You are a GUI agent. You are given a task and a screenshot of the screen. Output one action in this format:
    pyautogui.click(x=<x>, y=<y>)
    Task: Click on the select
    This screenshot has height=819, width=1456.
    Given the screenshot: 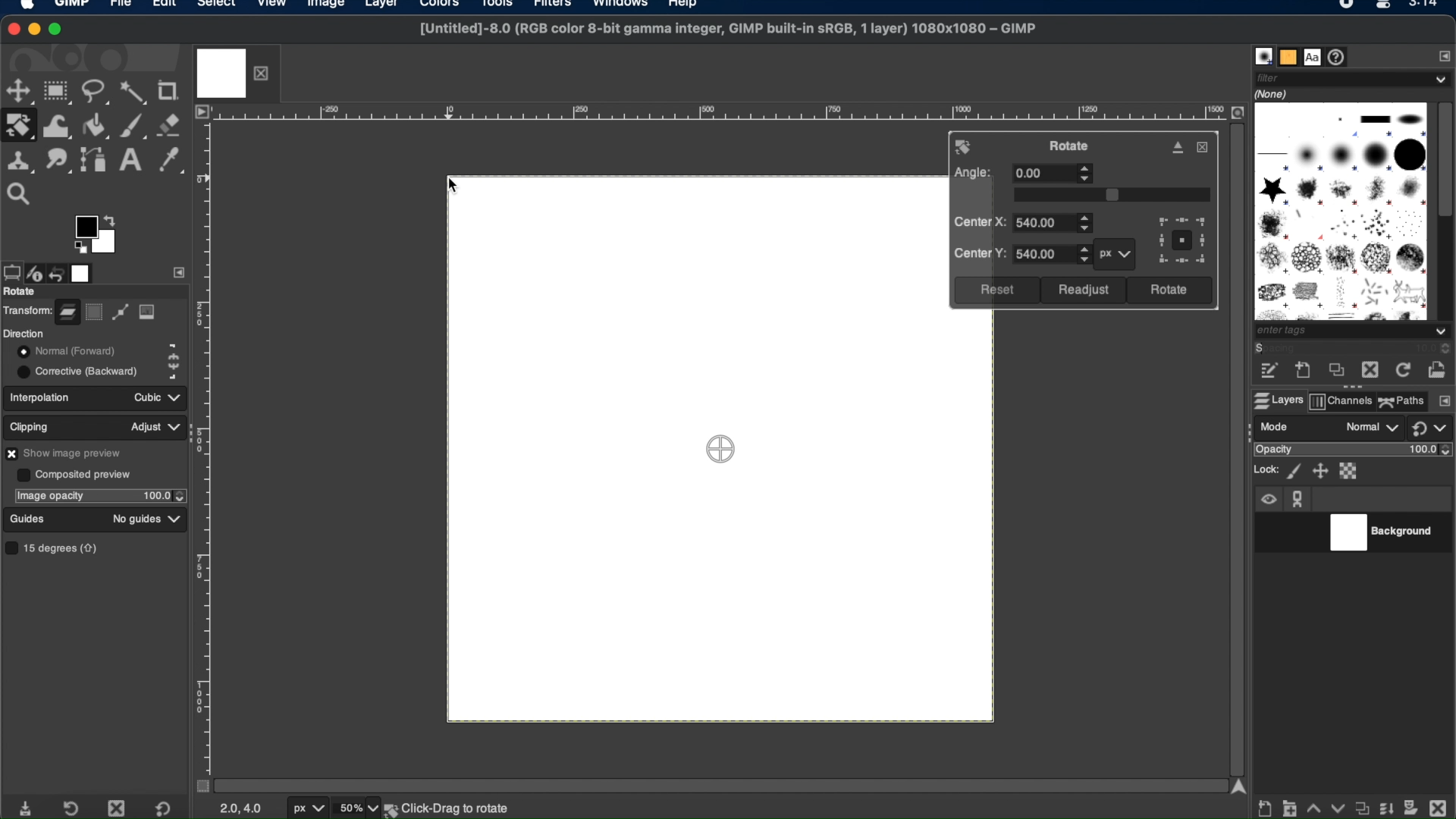 What is the action you would take?
    pyautogui.click(x=216, y=6)
    